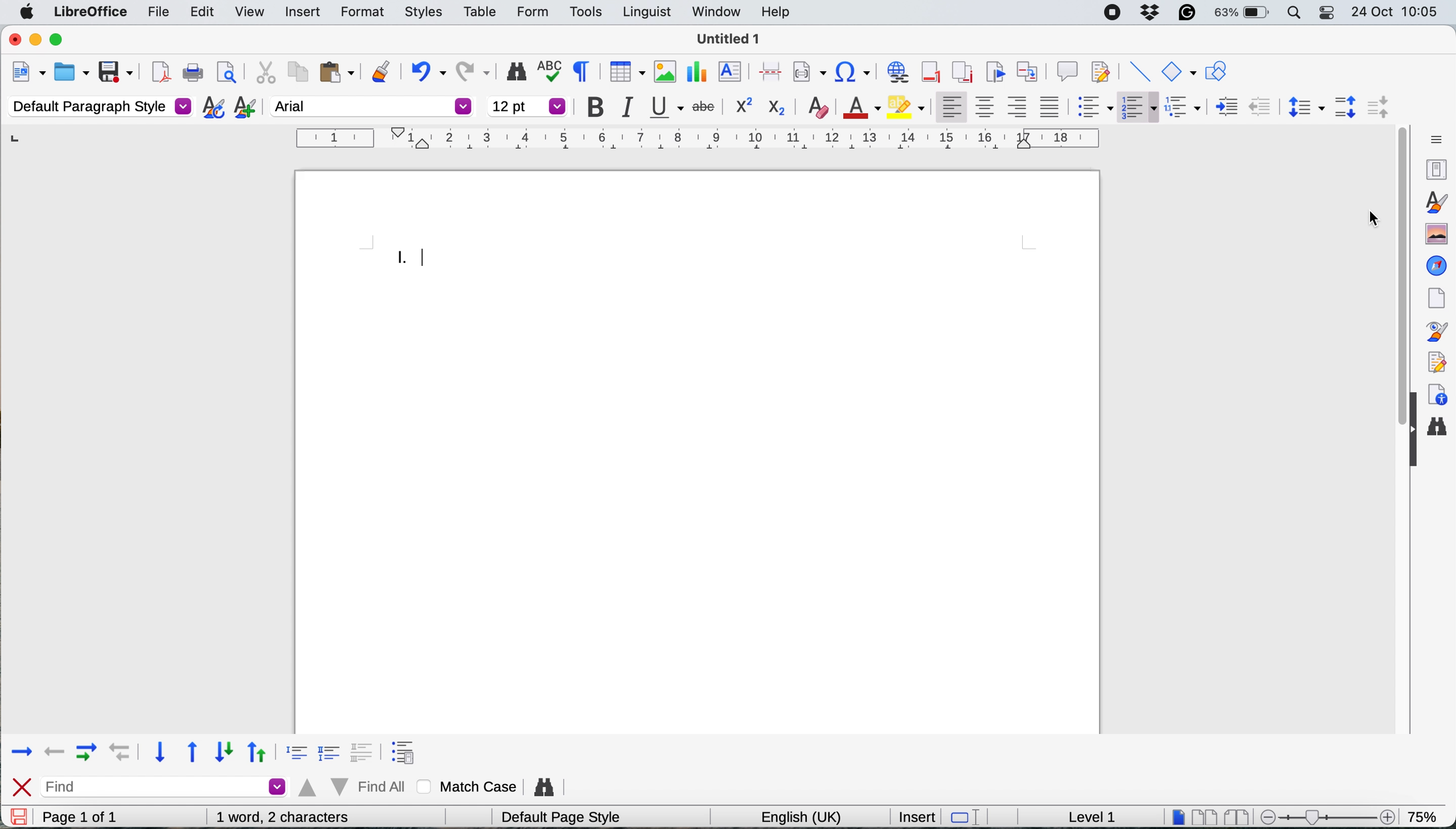 The image size is (1456, 829). I want to click on decrease paragraph spacing, so click(1376, 106).